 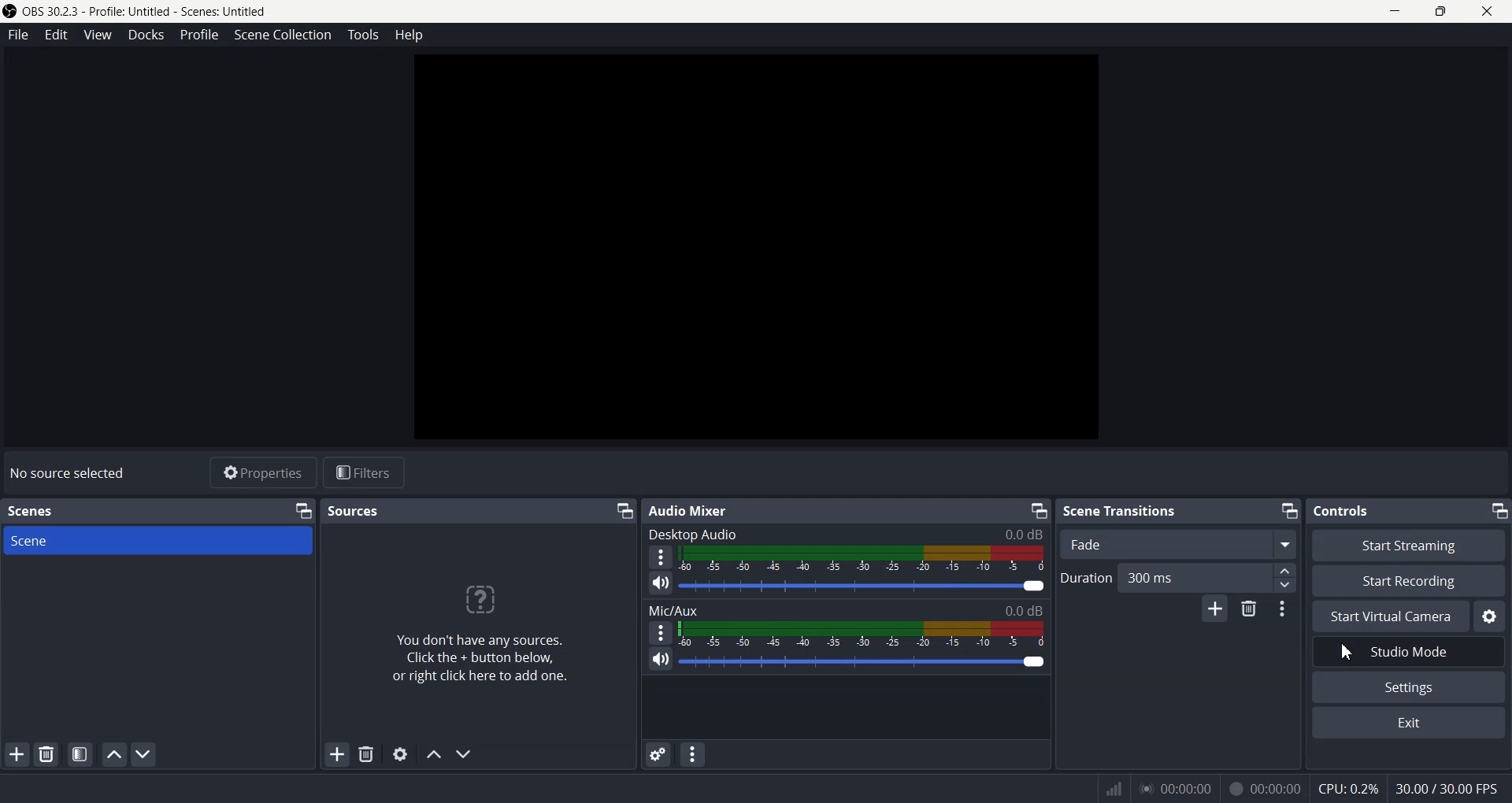 What do you see at coordinates (861, 661) in the screenshot?
I see `Volume Adjuster` at bounding box center [861, 661].